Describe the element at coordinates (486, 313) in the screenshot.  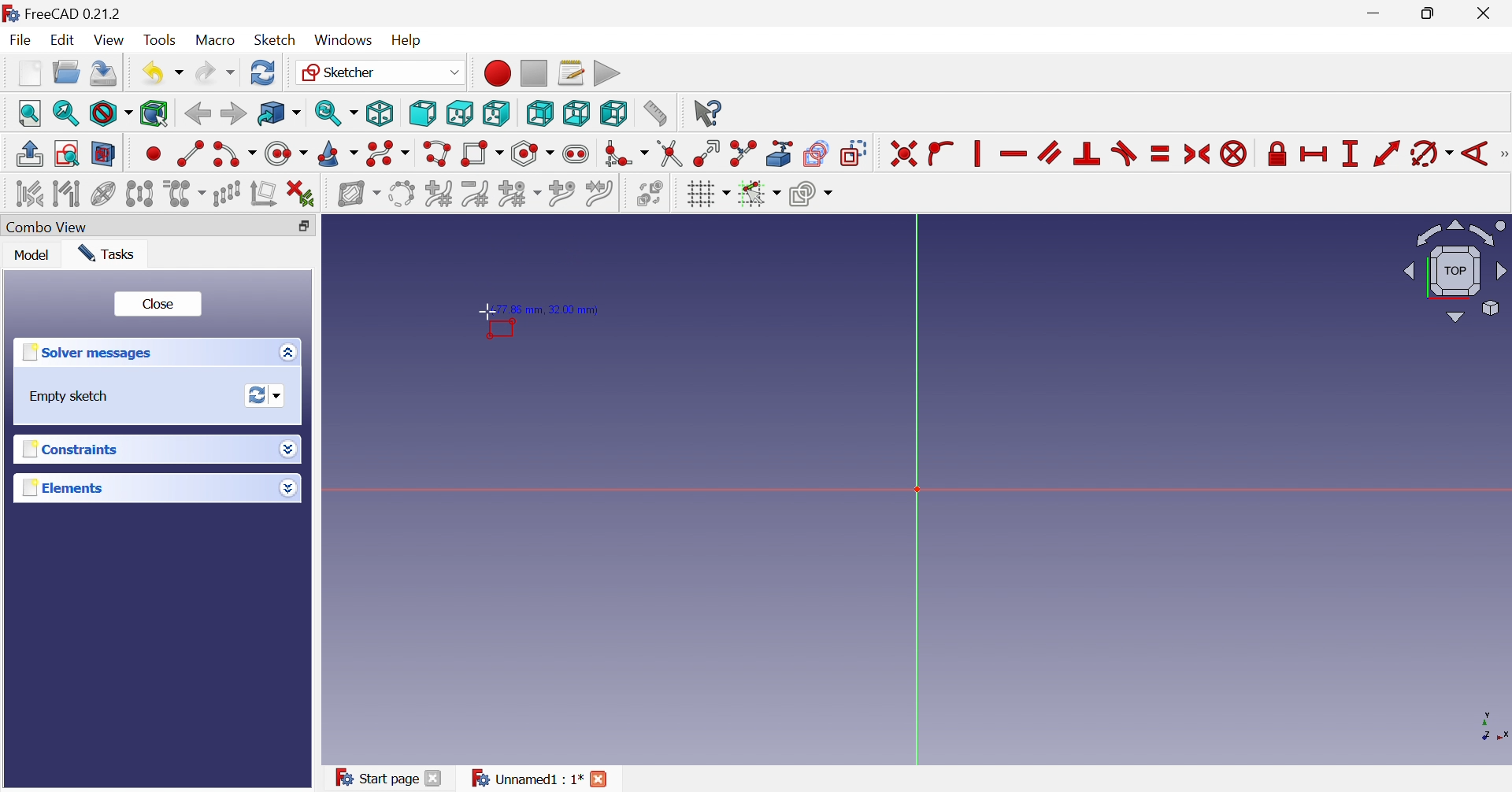
I see `Cursor` at that location.